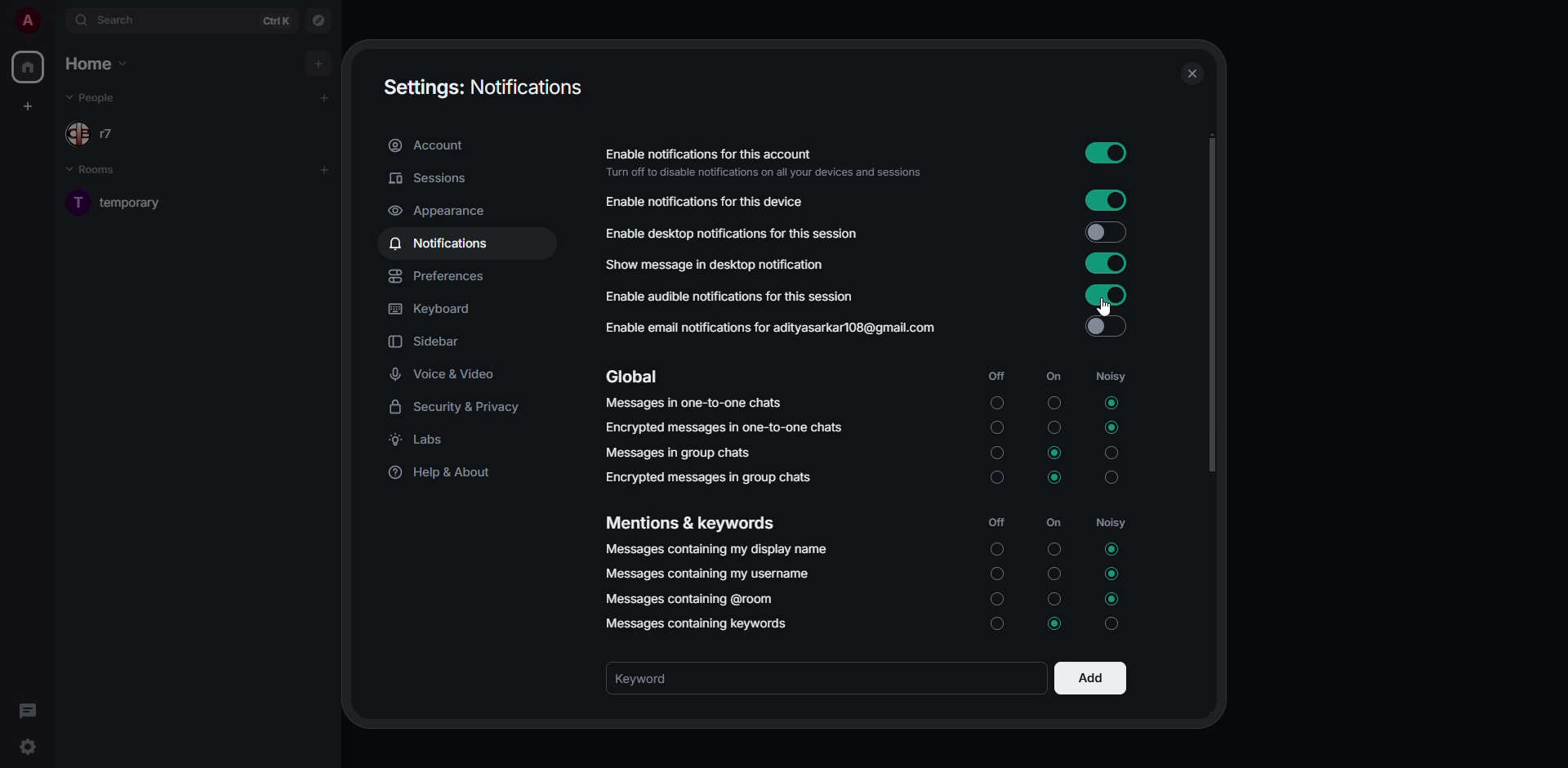 The width and height of the screenshot is (1568, 768). I want to click on enabled, so click(1103, 294).